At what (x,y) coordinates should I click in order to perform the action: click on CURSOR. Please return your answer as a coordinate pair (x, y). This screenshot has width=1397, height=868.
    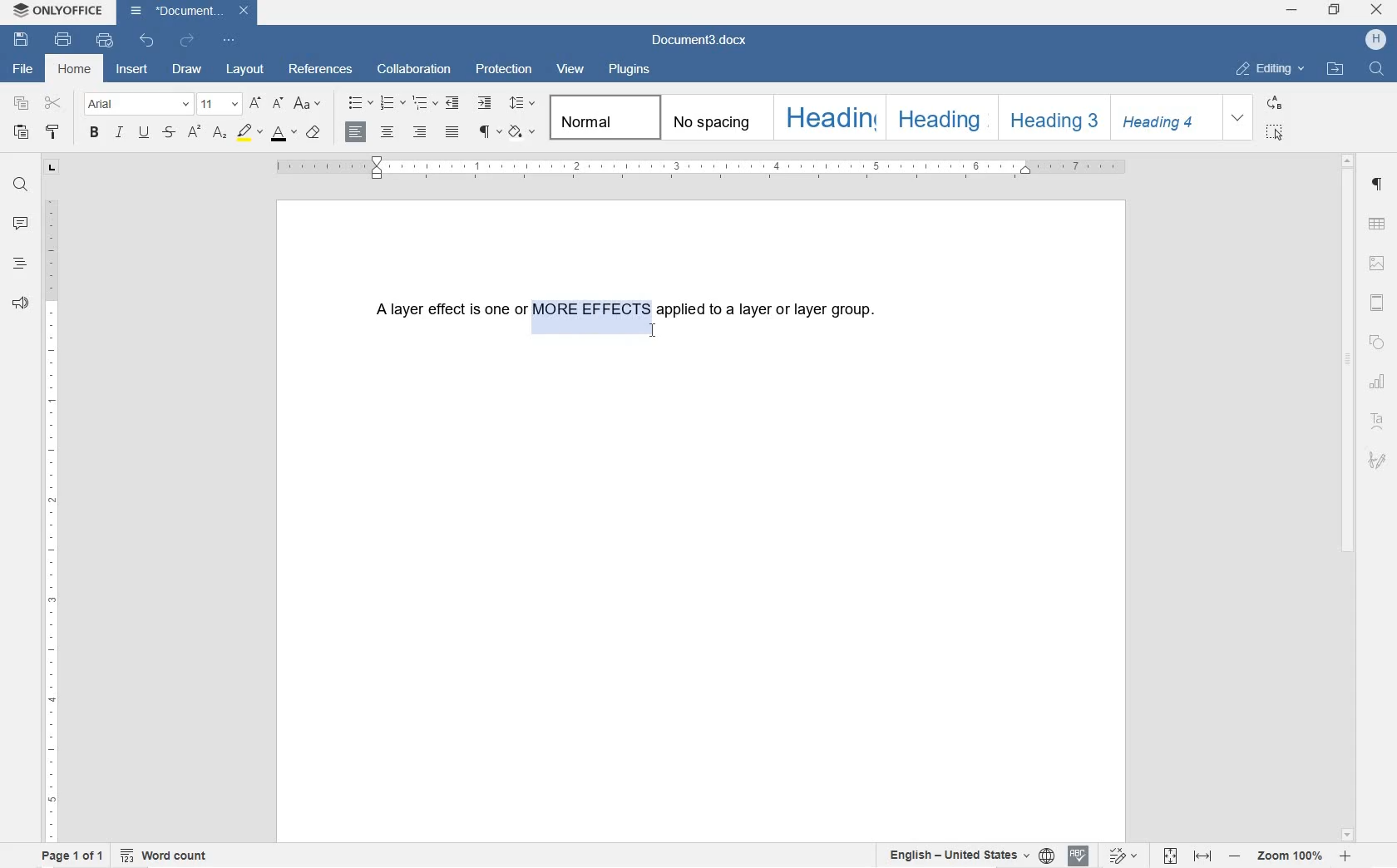
    Looking at the image, I should click on (655, 333).